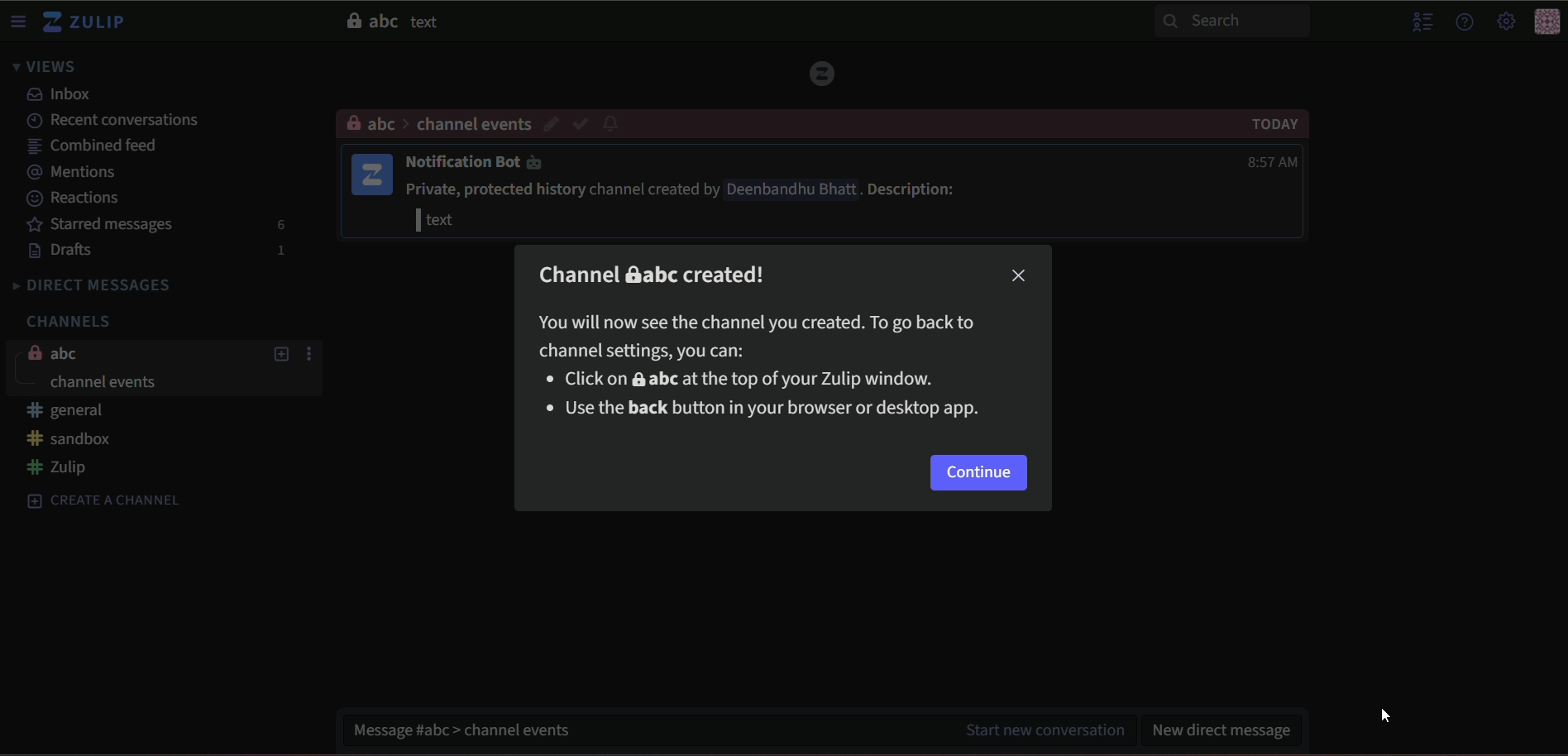 This screenshot has height=756, width=1568. I want to click on abc, so click(65, 354).